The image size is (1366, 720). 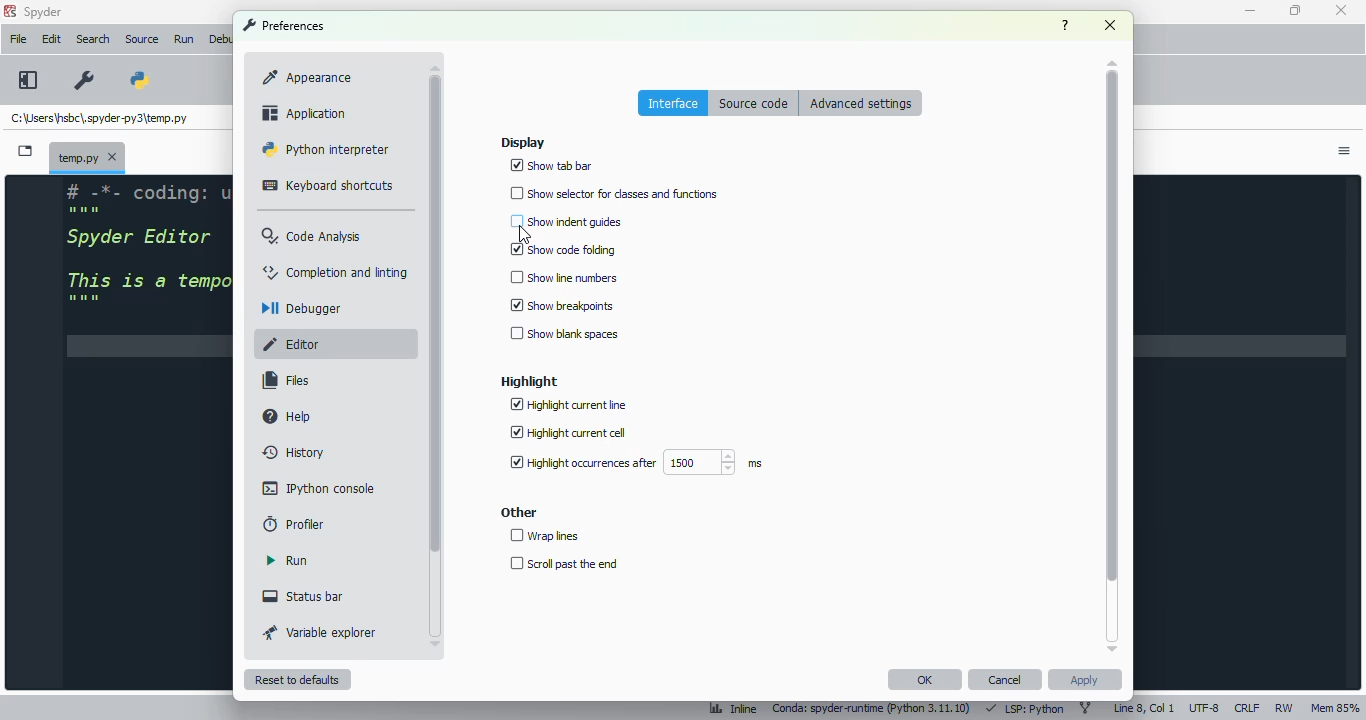 What do you see at coordinates (1252, 11) in the screenshot?
I see `minimize` at bounding box center [1252, 11].